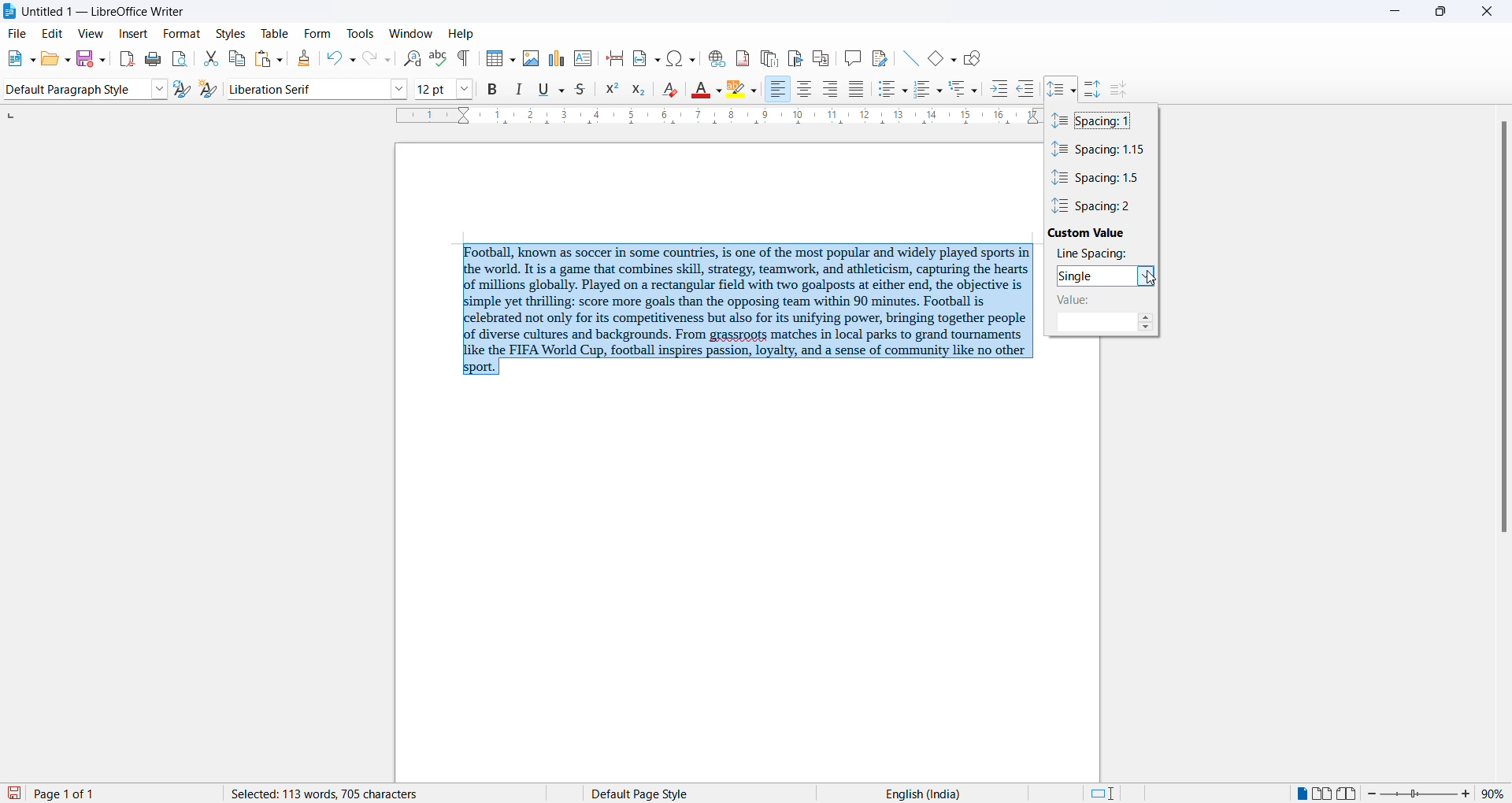 The height and width of the screenshot is (803, 1512). I want to click on insert images, so click(533, 60).